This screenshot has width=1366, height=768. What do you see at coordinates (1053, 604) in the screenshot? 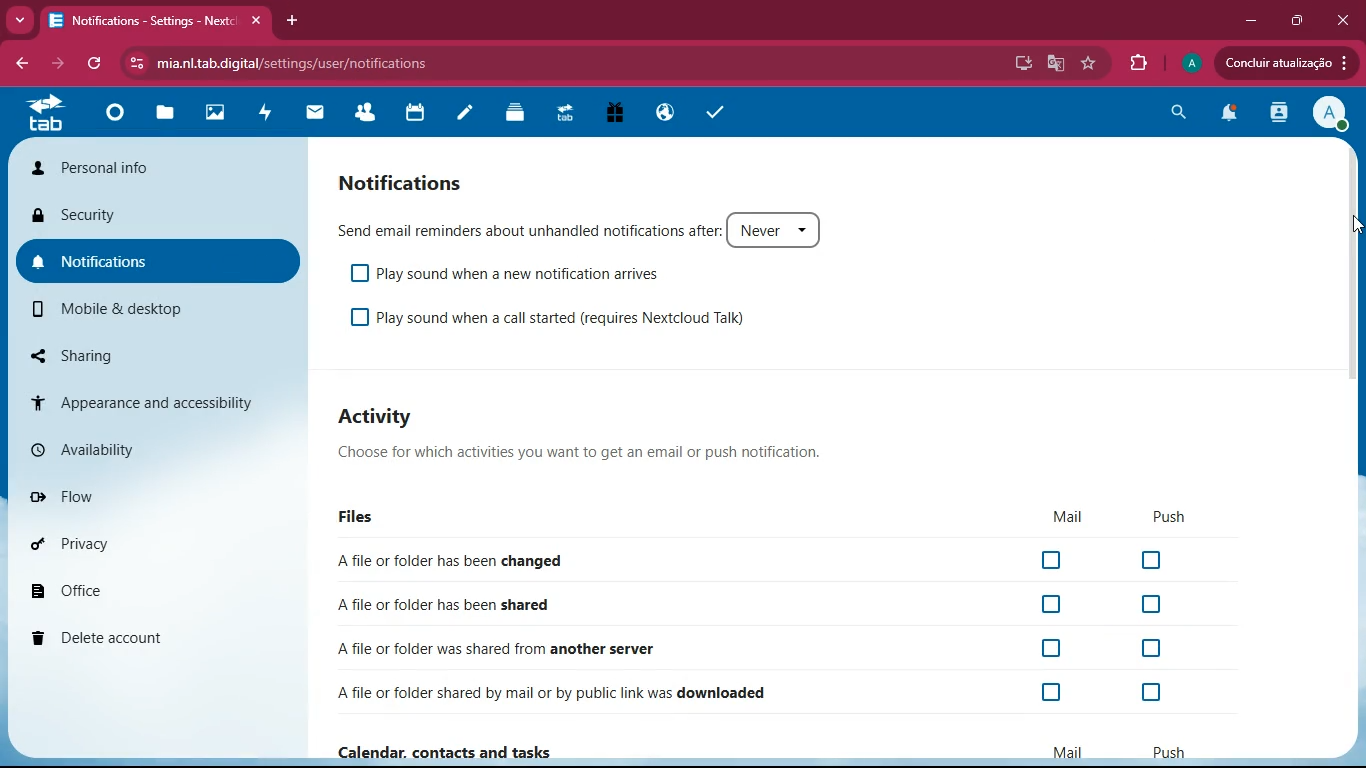
I see `off` at bounding box center [1053, 604].